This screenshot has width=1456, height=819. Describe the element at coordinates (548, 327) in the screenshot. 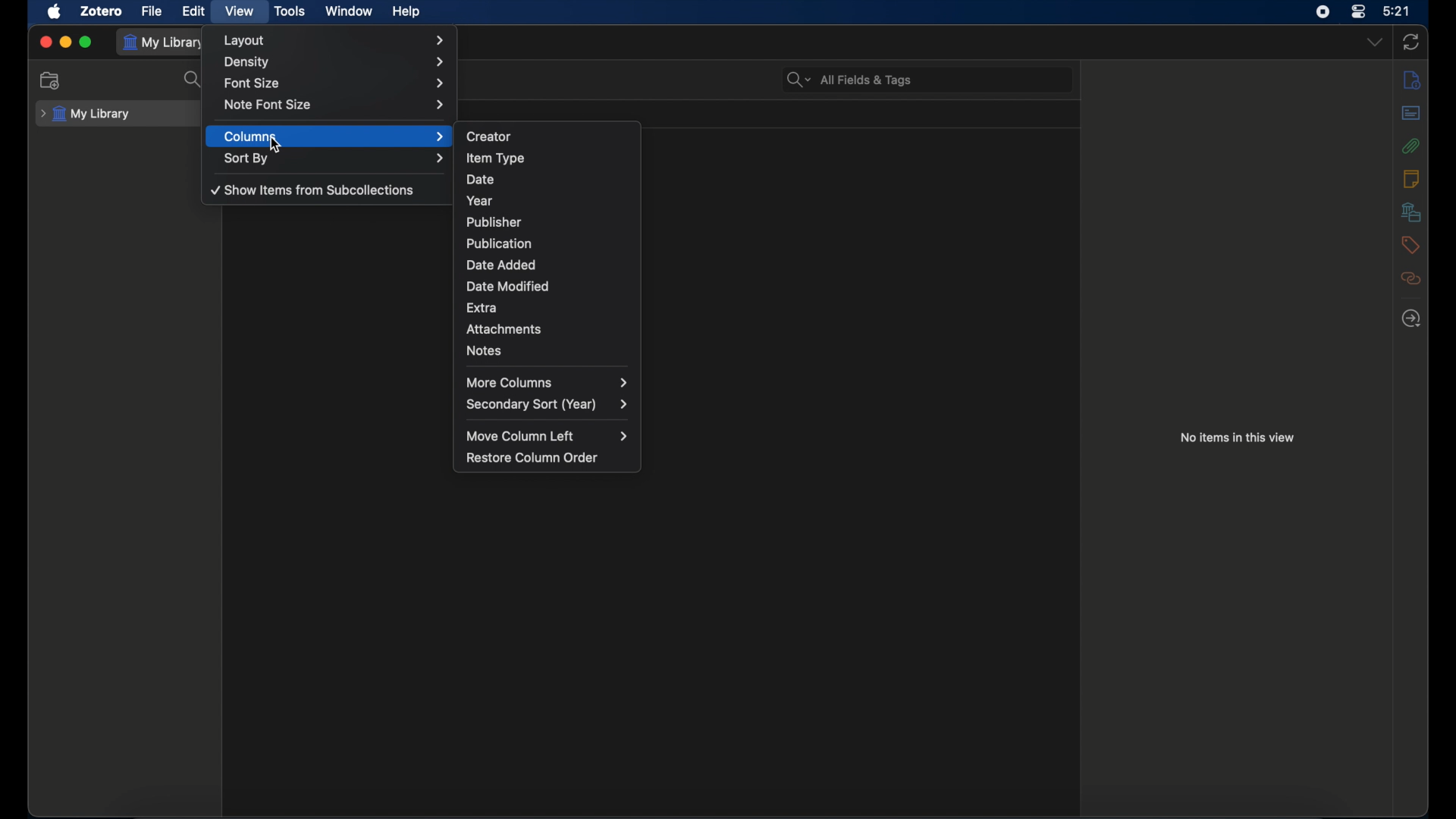

I see `attachments` at that location.